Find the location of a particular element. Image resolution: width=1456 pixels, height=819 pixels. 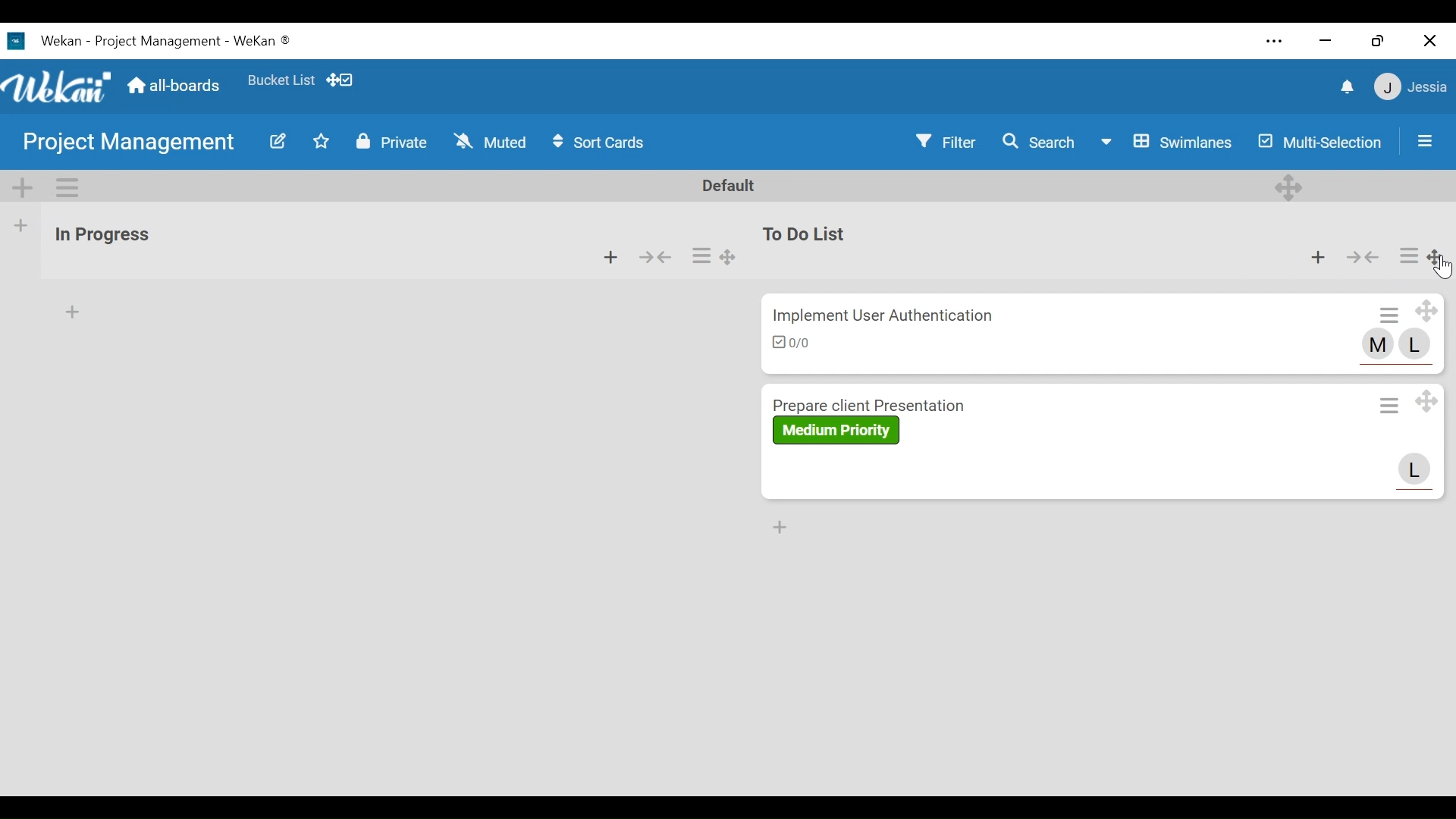

Drag Board is located at coordinates (1436, 256).